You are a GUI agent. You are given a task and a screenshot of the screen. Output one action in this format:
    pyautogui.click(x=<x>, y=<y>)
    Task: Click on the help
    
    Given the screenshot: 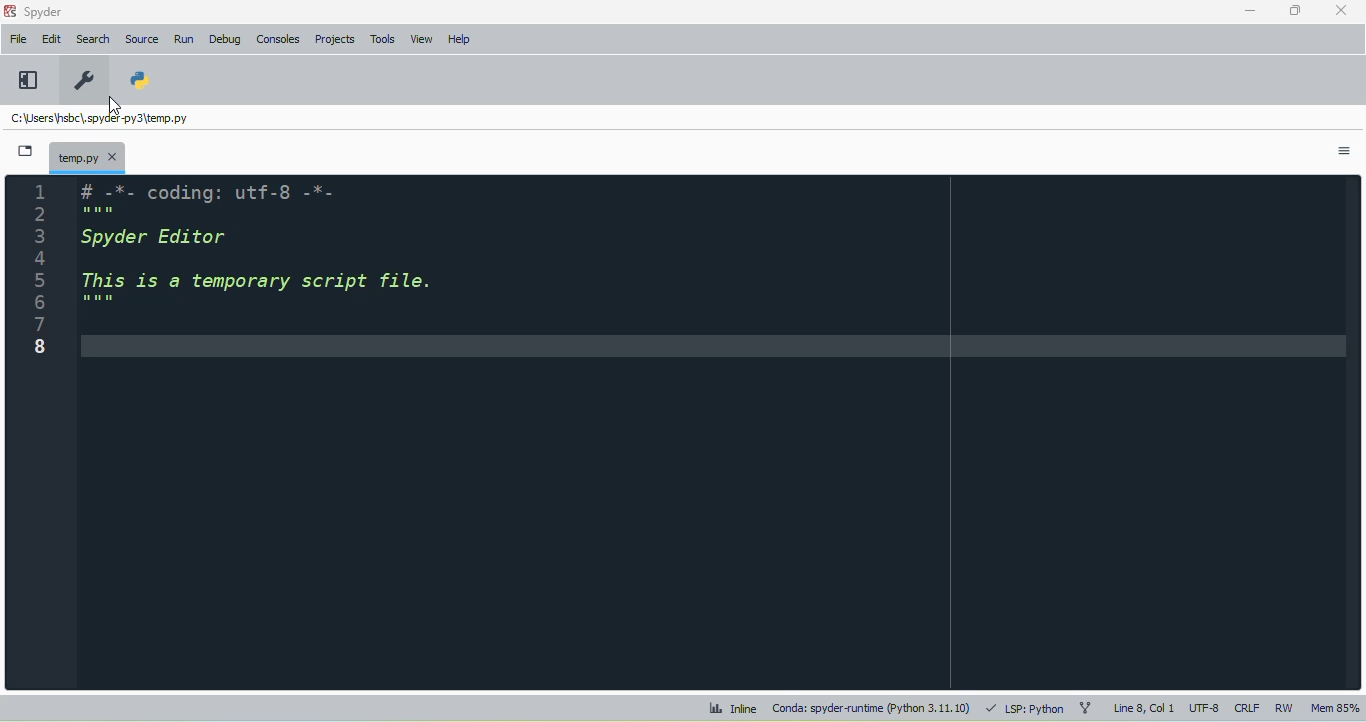 What is the action you would take?
    pyautogui.click(x=460, y=40)
    